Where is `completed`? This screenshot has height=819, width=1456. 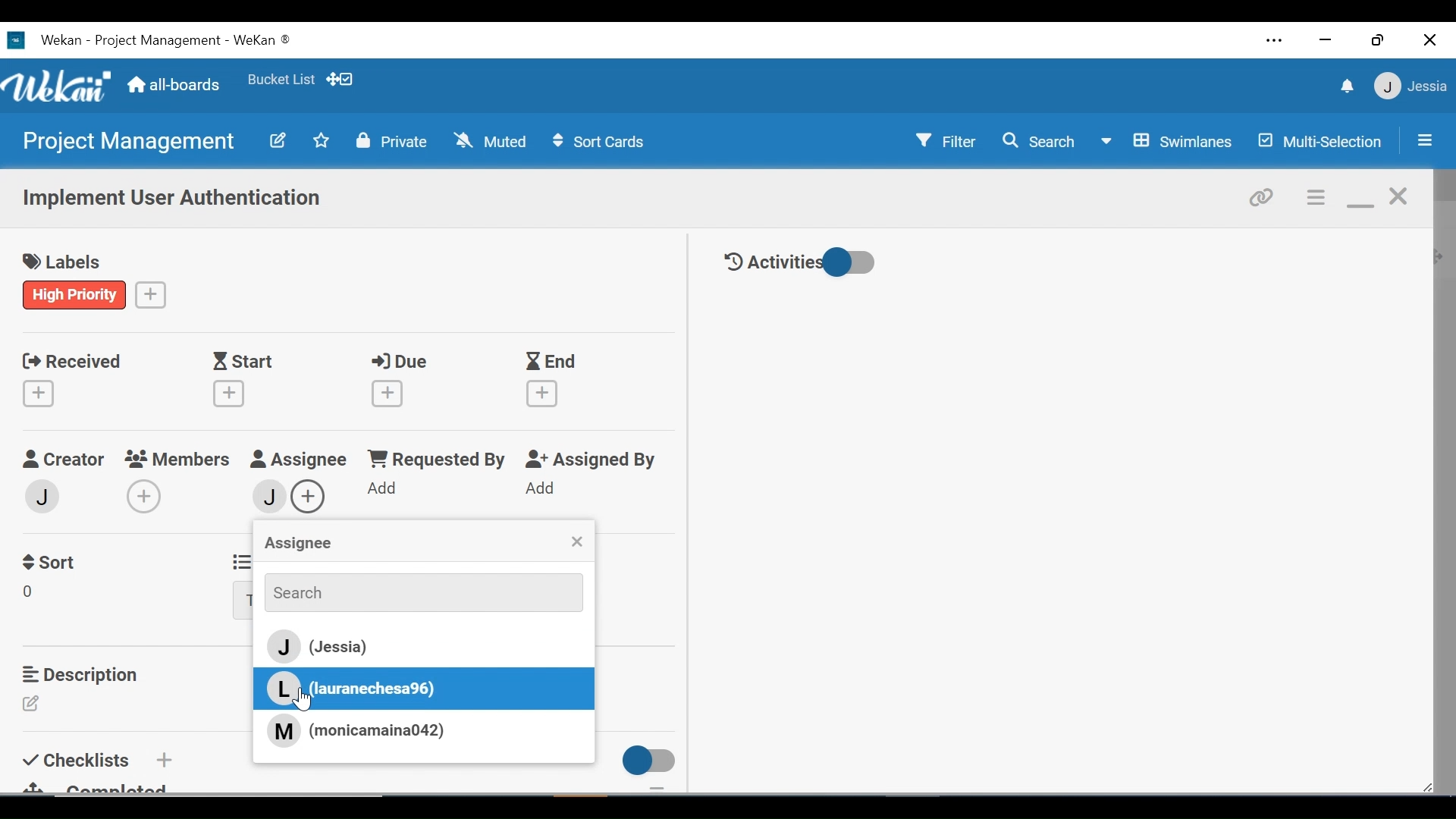
completed is located at coordinates (105, 786).